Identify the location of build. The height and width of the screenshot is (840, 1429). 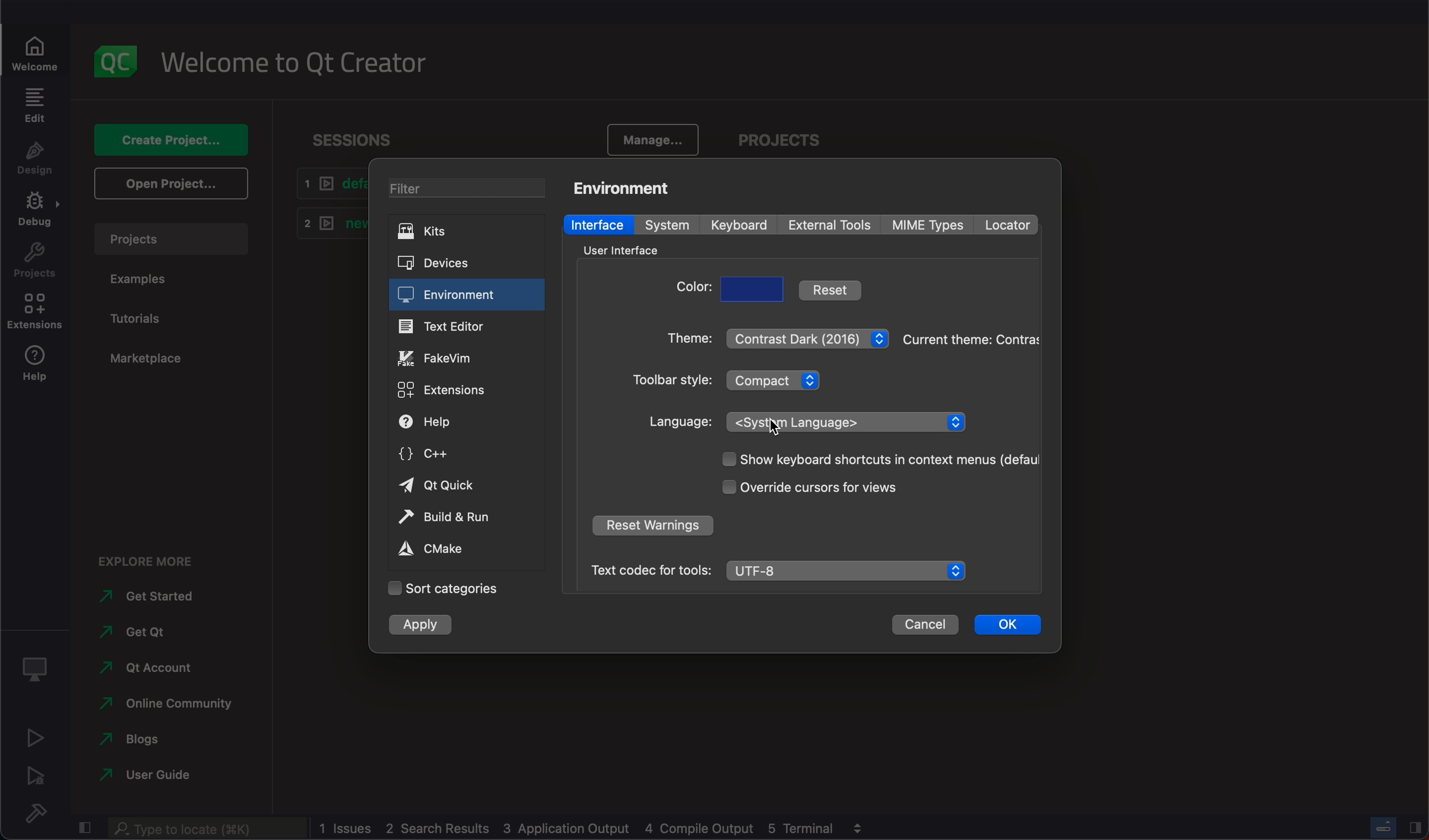
(465, 518).